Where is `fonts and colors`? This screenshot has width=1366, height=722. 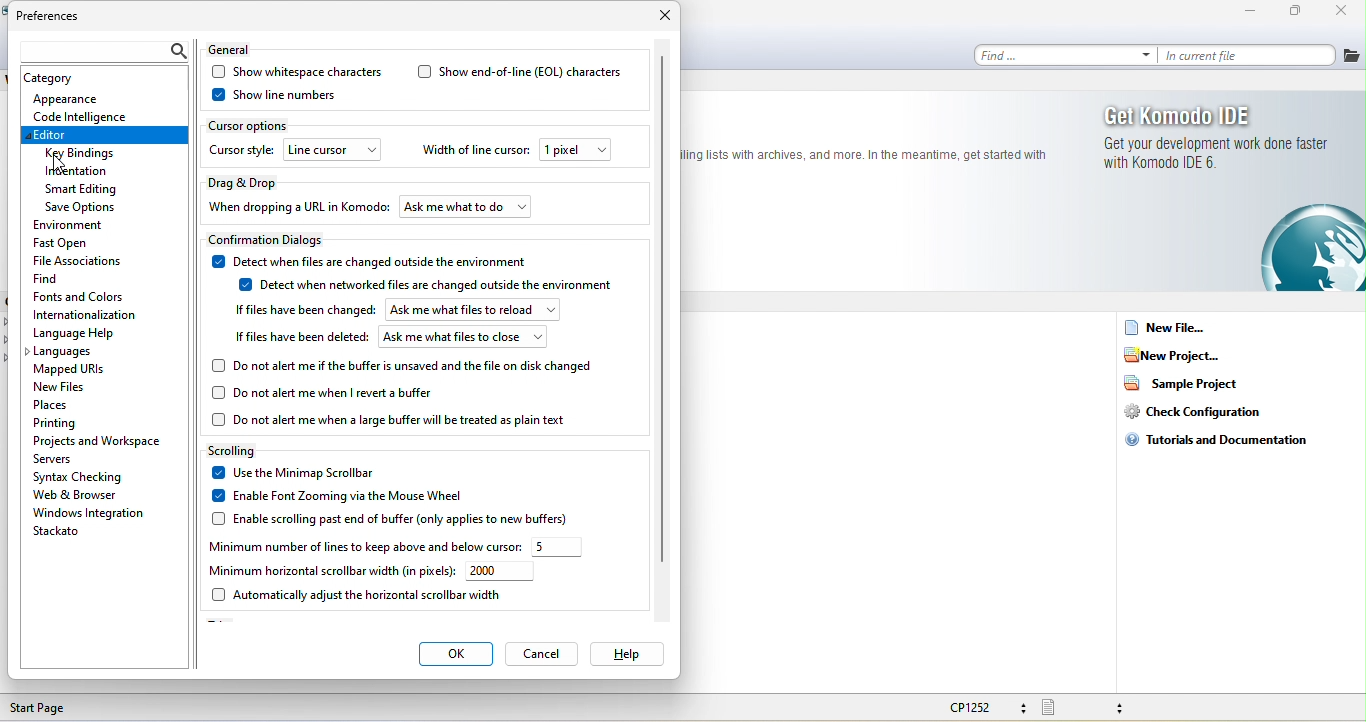 fonts and colors is located at coordinates (81, 294).